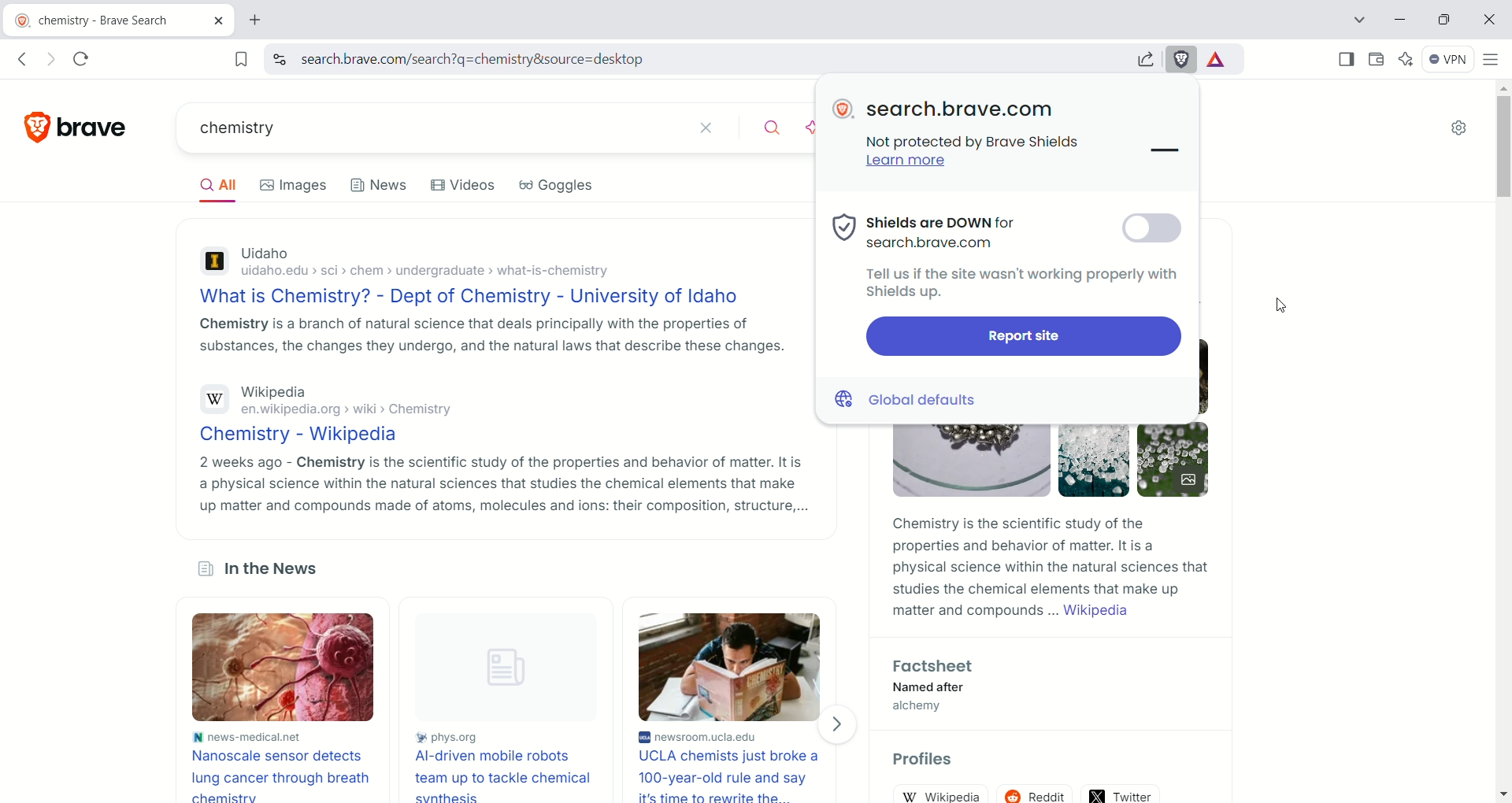 The width and height of the screenshot is (1512, 803). Describe the element at coordinates (286, 735) in the screenshot. I see `news-medical.net` at that location.